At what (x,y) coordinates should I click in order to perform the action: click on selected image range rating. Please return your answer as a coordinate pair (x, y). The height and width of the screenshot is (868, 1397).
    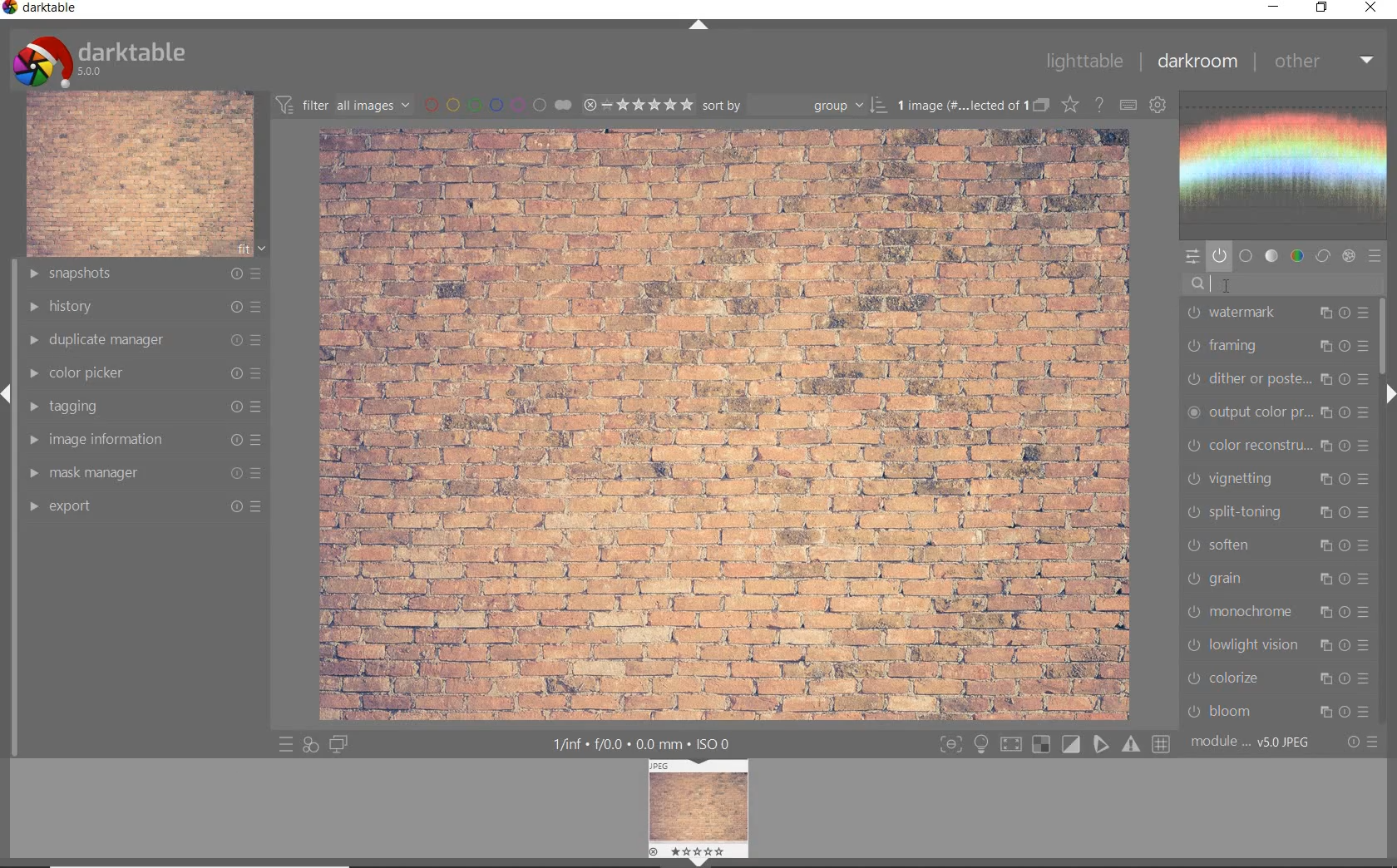
    Looking at the image, I should click on (638, 105).